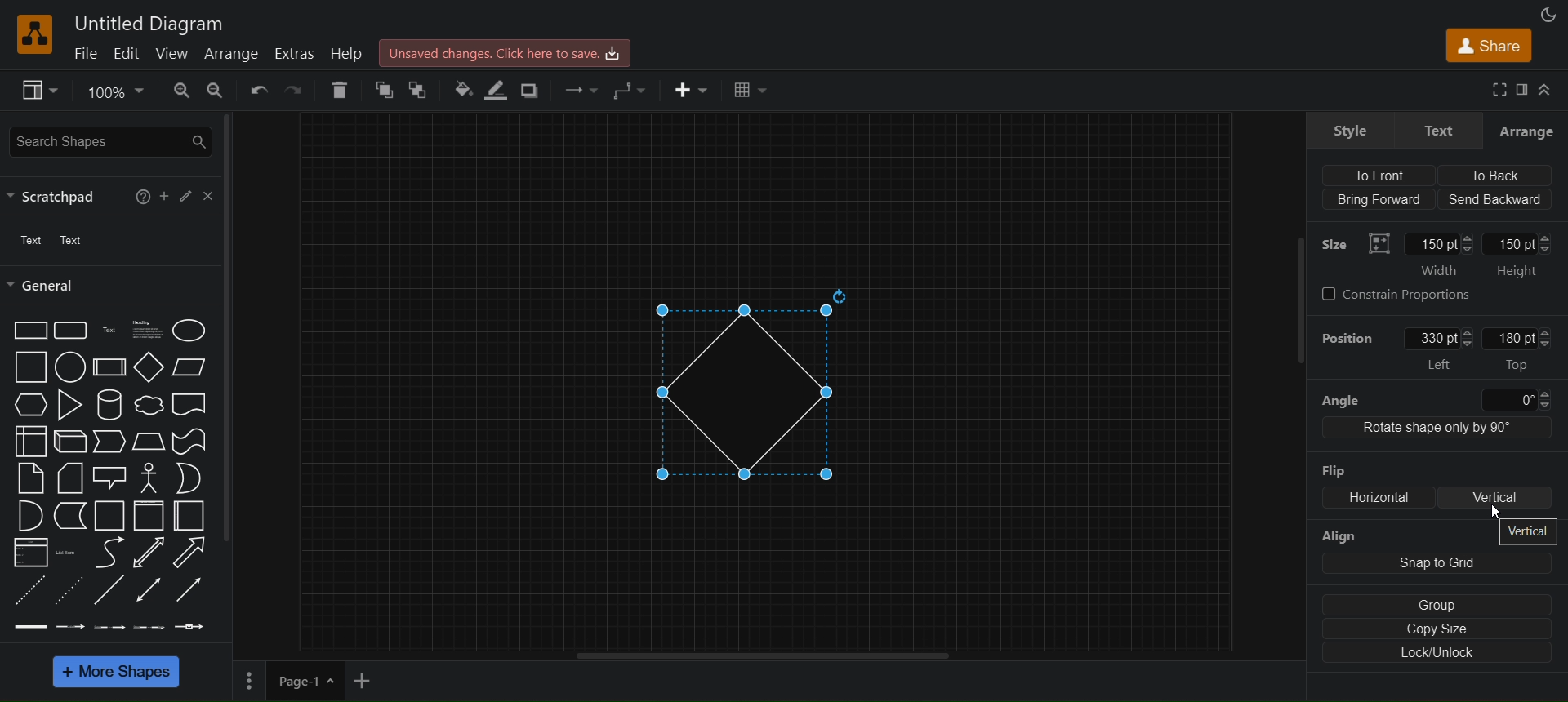 The width and height of the screenshot is (1568, 702). I want to click on flip, so click(1336, 465).